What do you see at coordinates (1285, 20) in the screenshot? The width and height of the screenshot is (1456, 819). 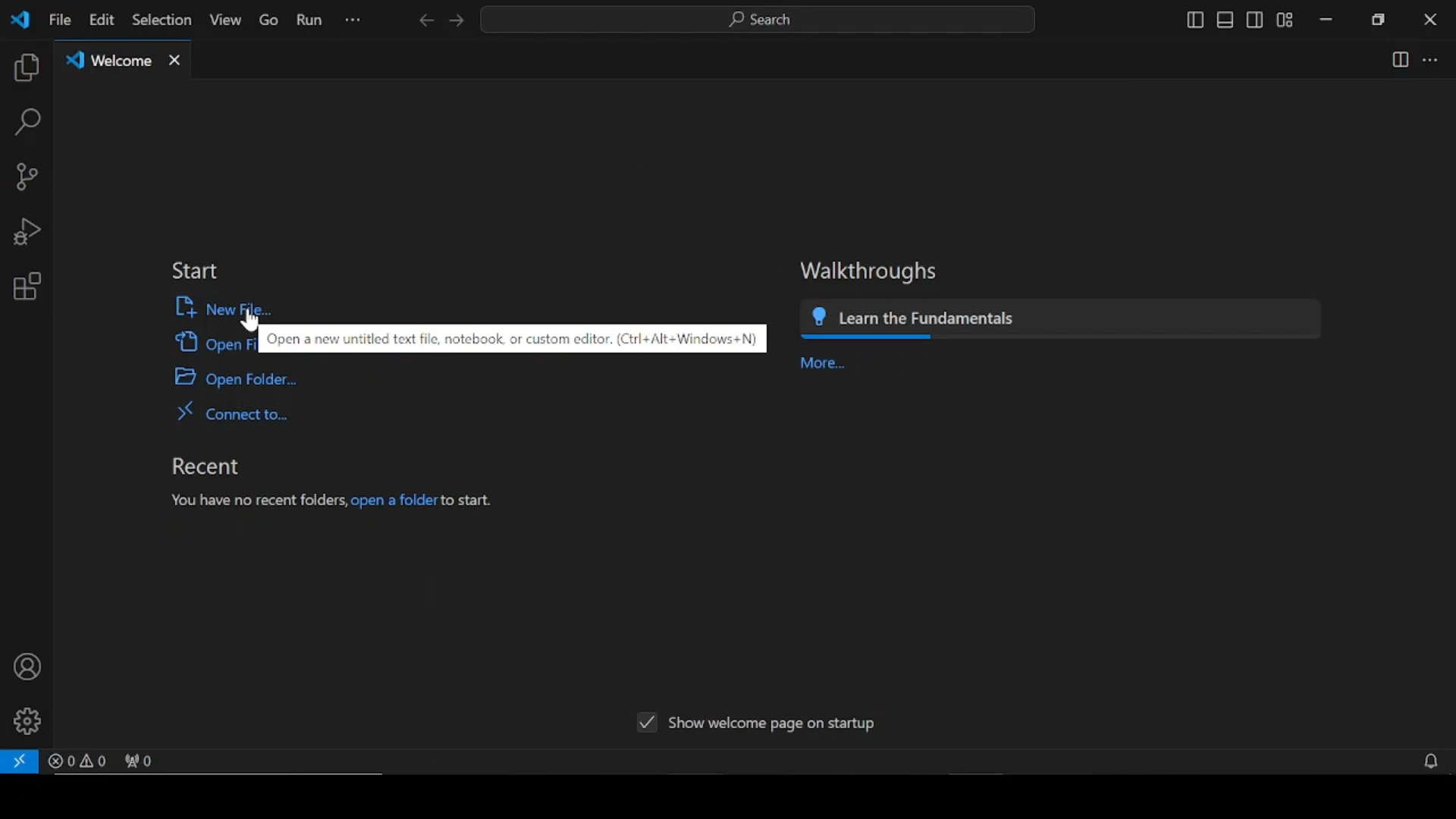 I see `customize layout` at bounding box center [1285, 20].